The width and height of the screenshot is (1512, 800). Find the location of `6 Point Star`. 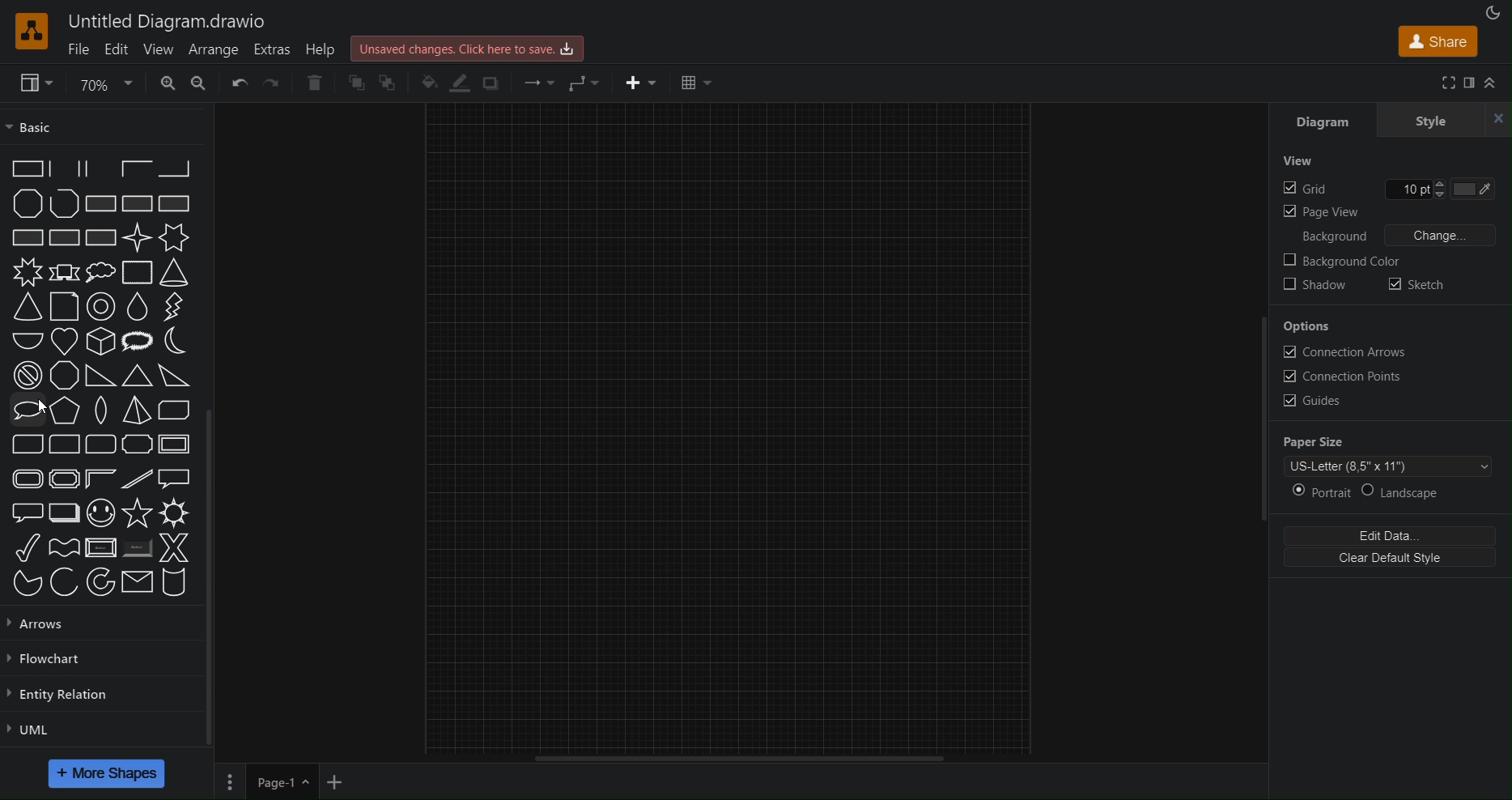

6 Point Star is located at coordinates (174, 237).